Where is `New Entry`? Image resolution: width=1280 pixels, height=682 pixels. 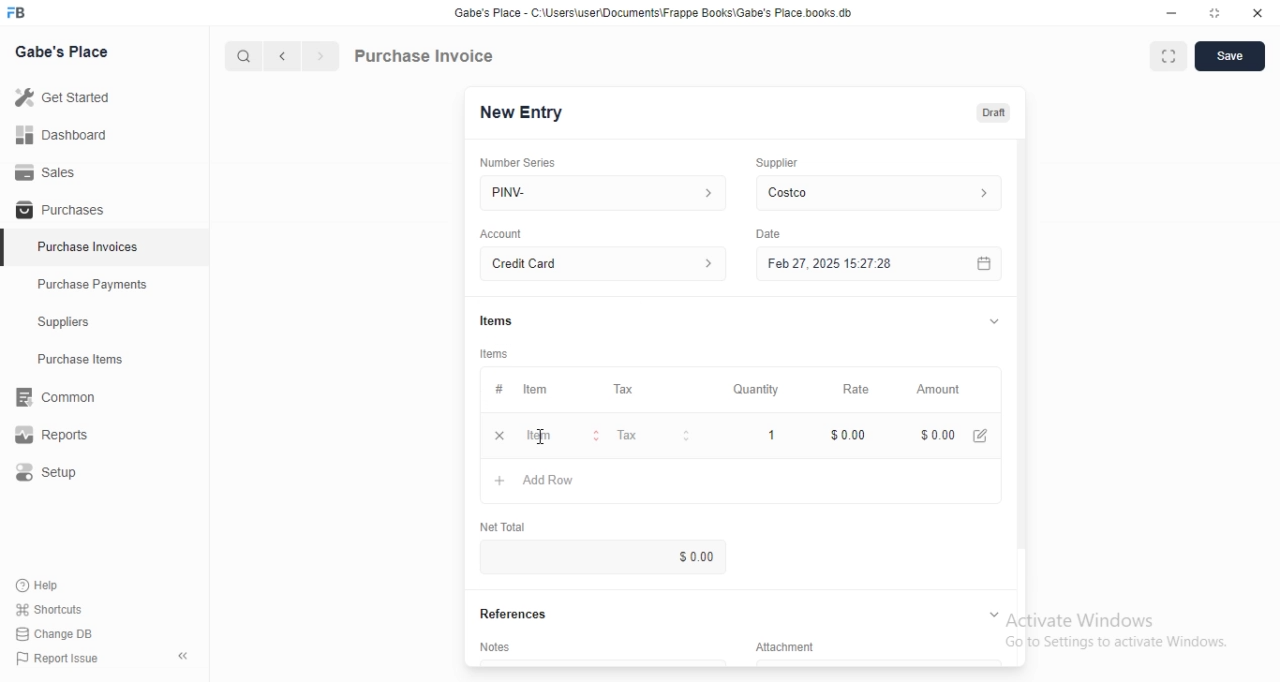
New Entry is located at coordinates (522, 113).